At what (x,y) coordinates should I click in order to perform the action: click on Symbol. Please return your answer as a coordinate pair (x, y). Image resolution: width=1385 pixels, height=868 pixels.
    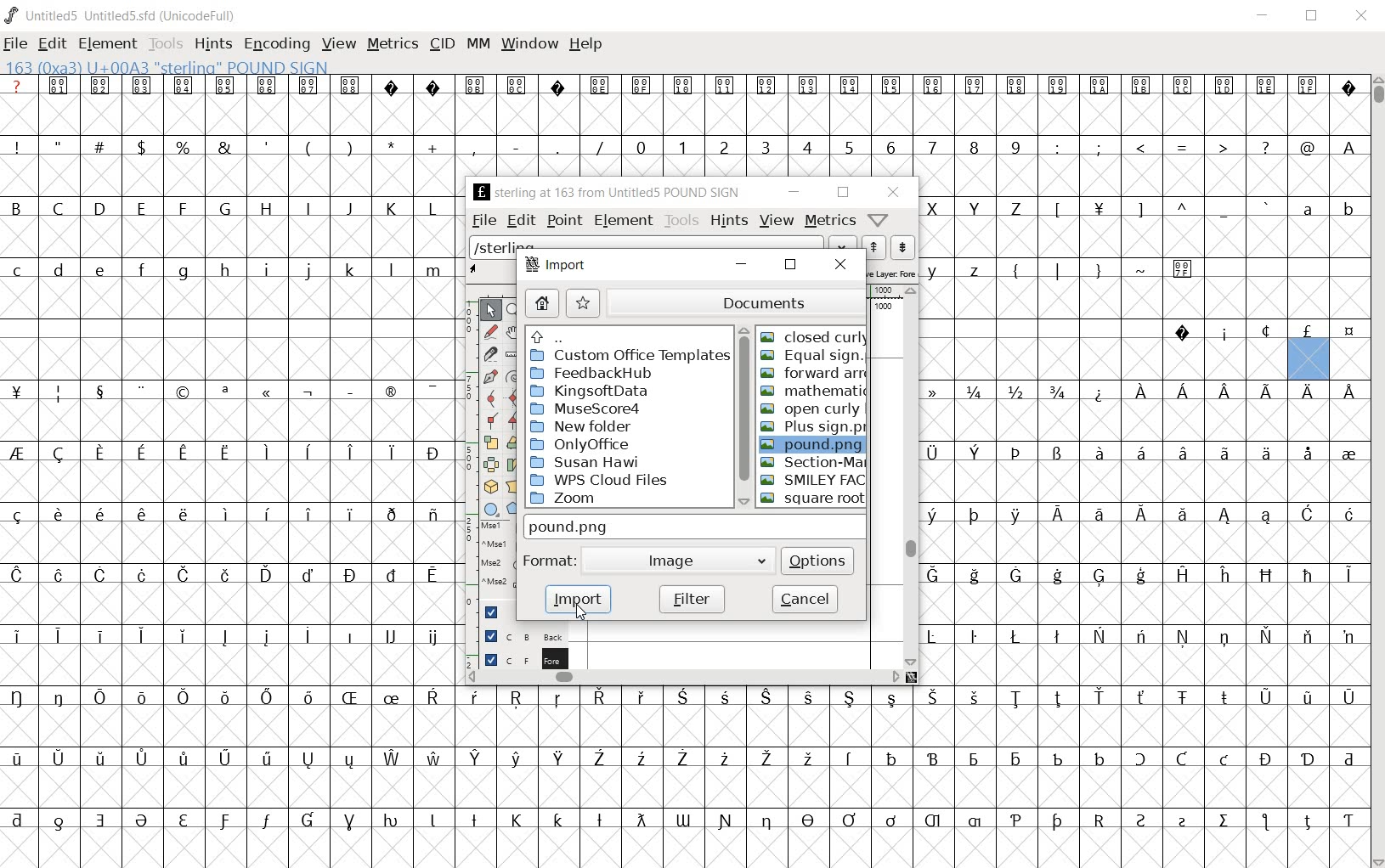
    Looking at the image, I should click on (599, 759).